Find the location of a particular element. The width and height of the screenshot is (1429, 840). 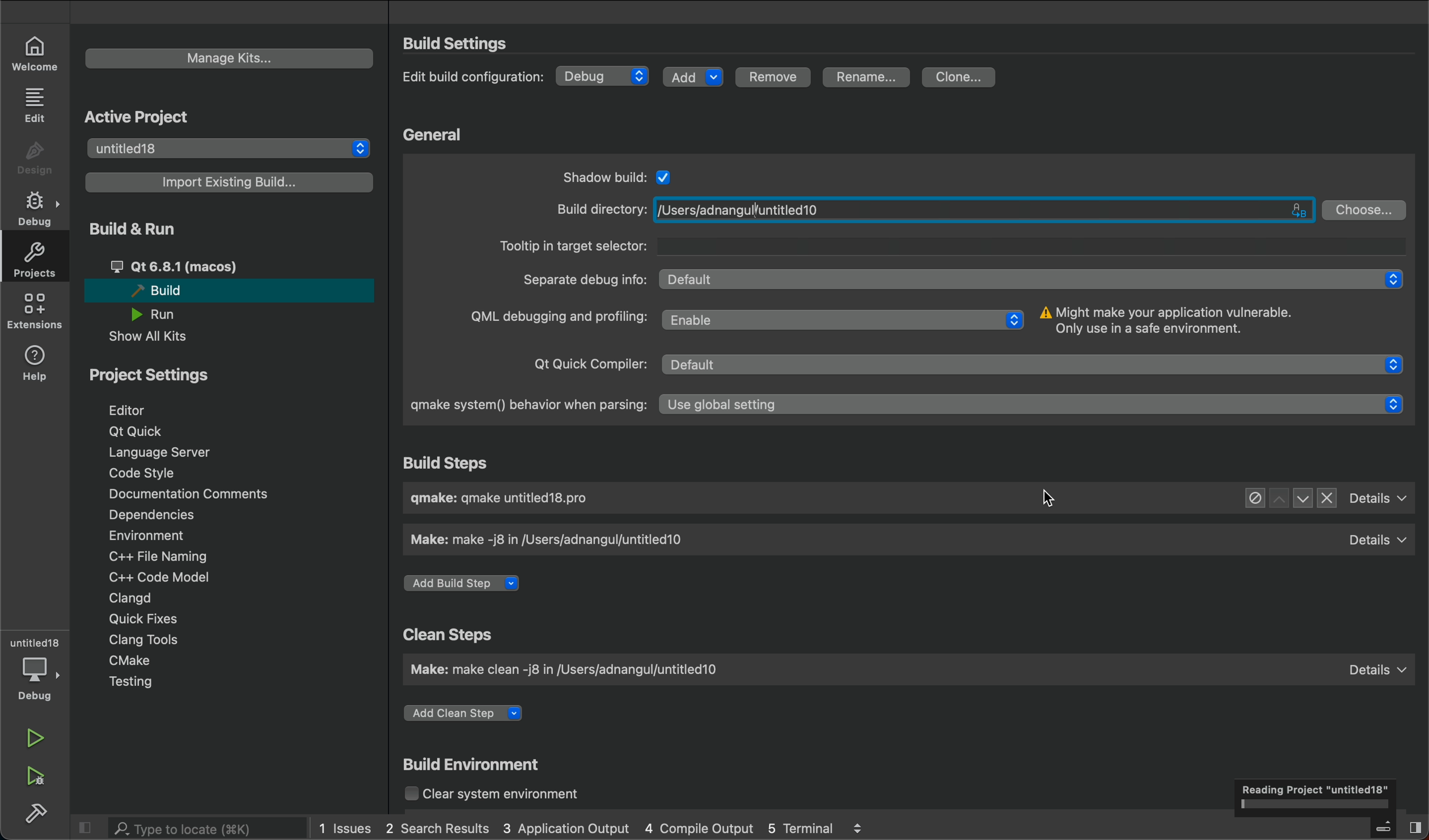

clangd is located at coordinates (132, 596).